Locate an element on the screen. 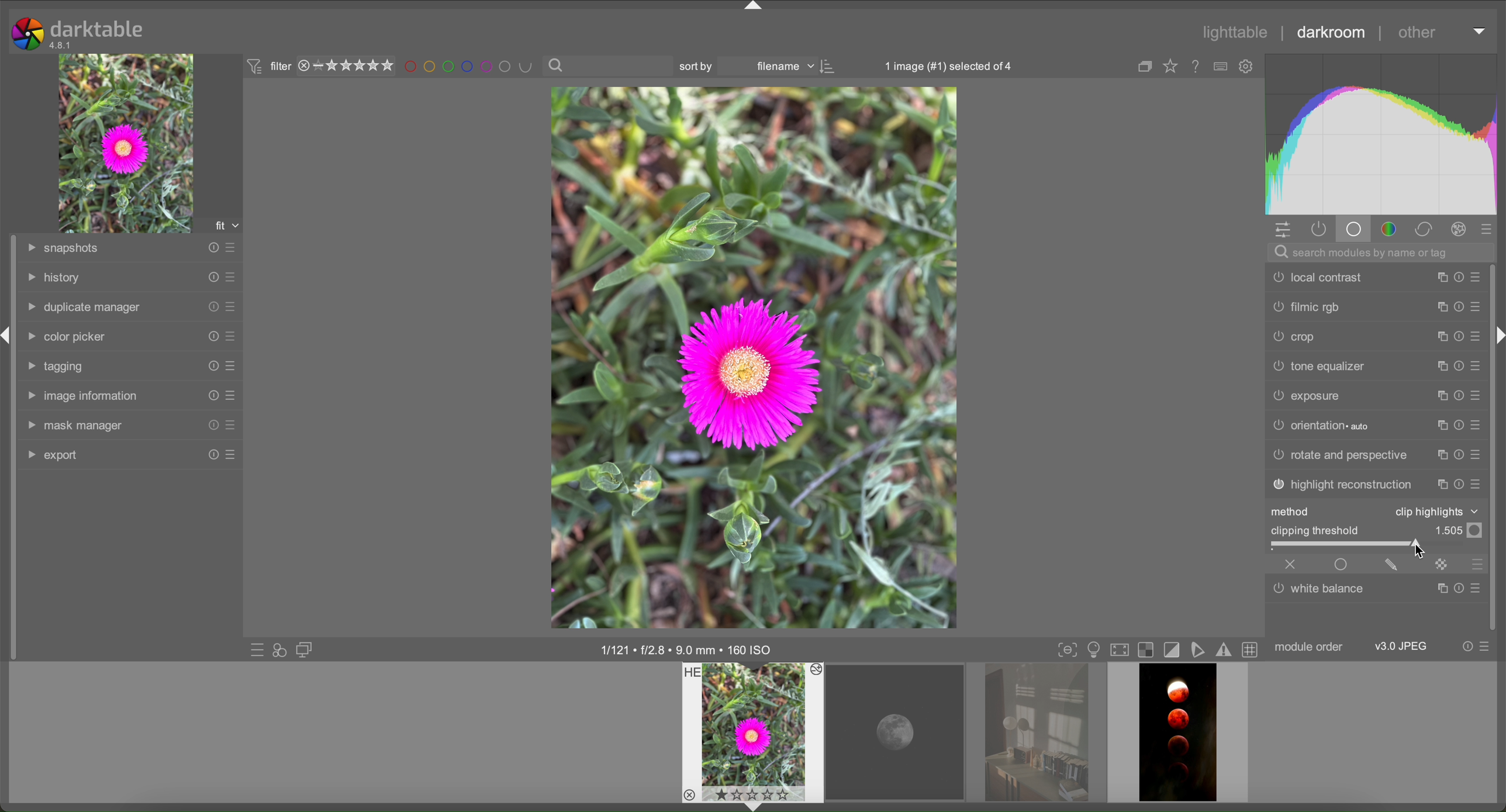 The width and height of the screenshot is (1506, 812). other is located at coordinates (1417, 35).